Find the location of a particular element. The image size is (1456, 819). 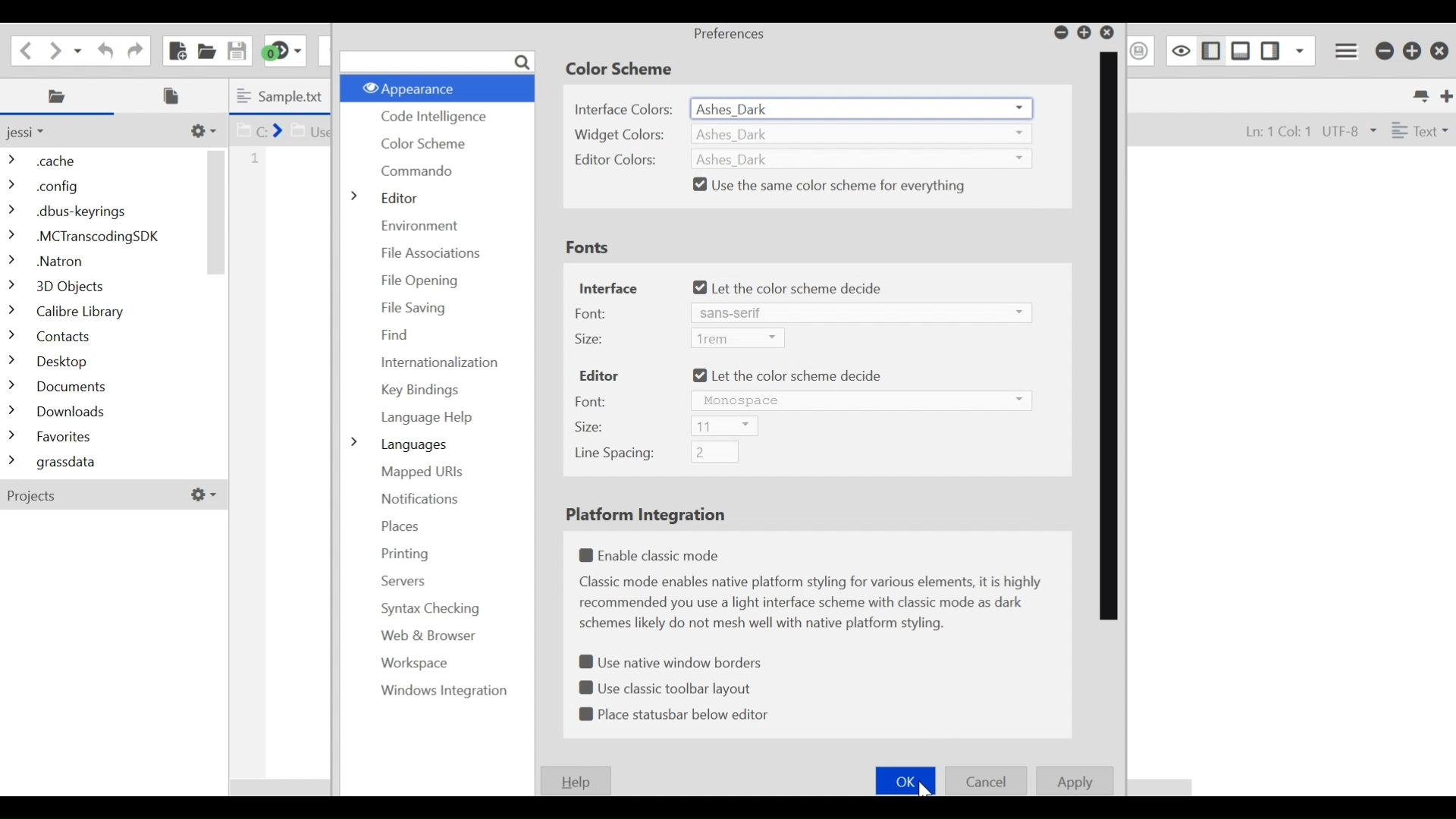

Places is located at coordinates (401, 526).